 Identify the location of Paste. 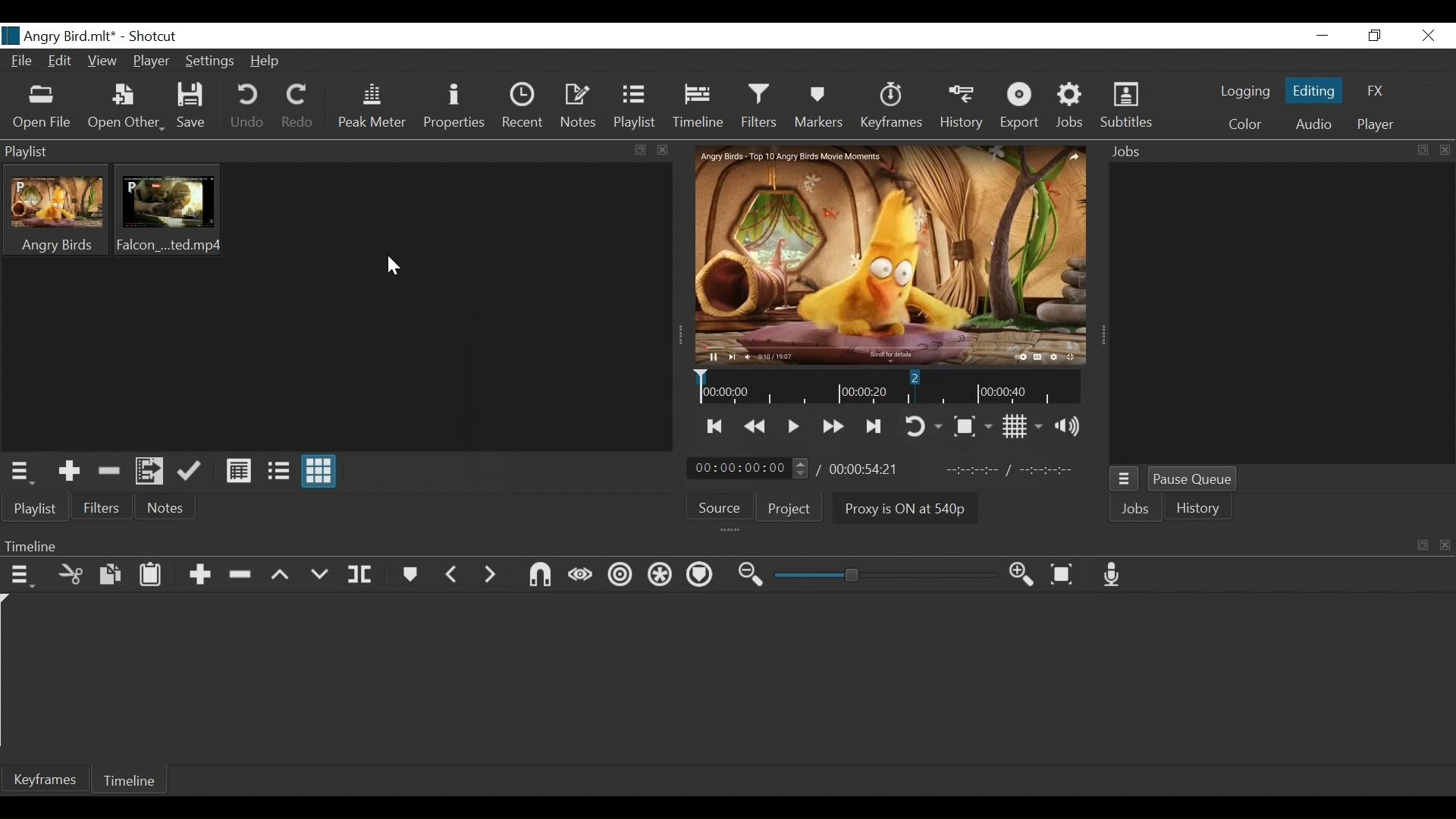
(152, 576).